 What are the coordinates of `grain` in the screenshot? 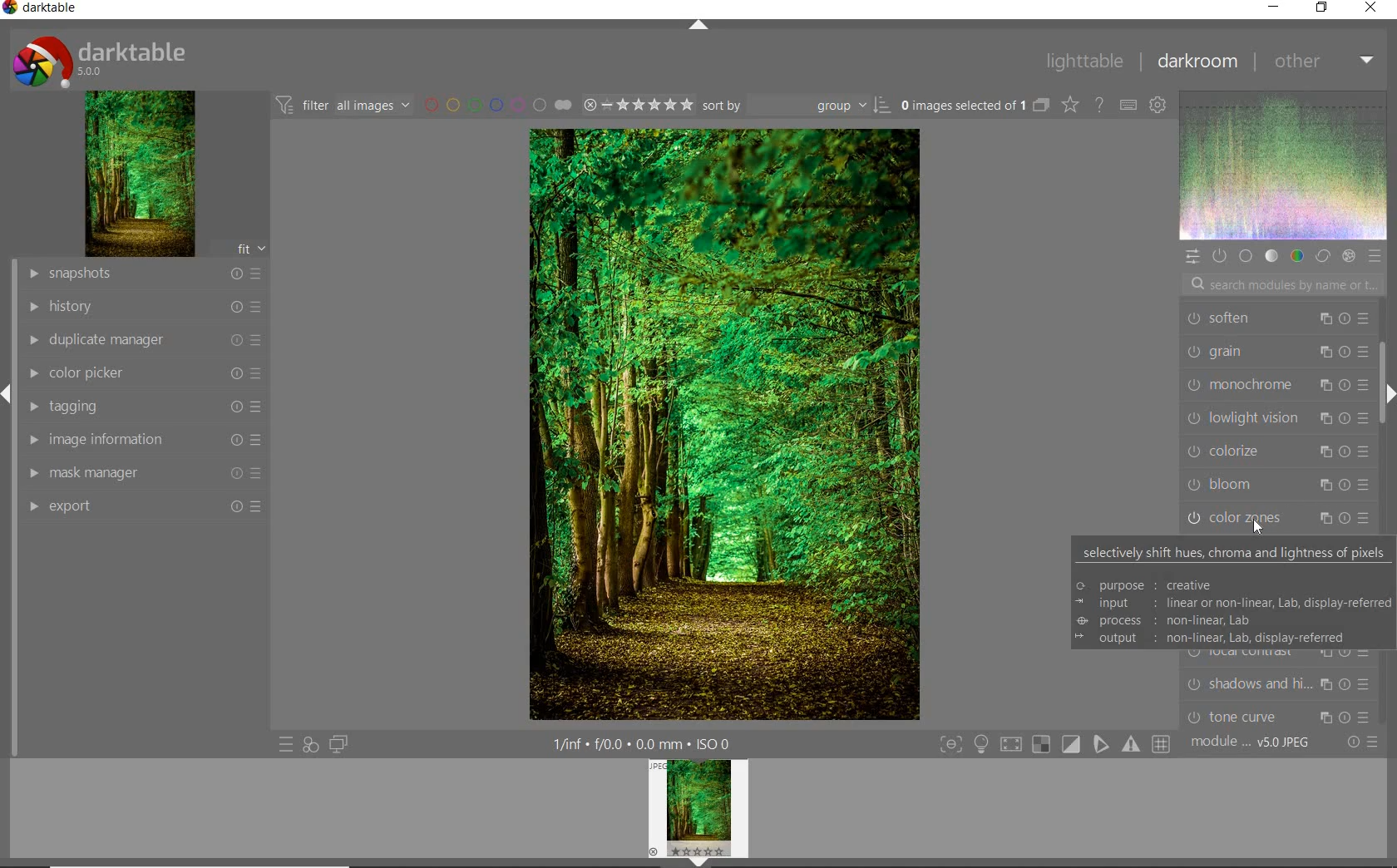 It's located at (1276, 352).